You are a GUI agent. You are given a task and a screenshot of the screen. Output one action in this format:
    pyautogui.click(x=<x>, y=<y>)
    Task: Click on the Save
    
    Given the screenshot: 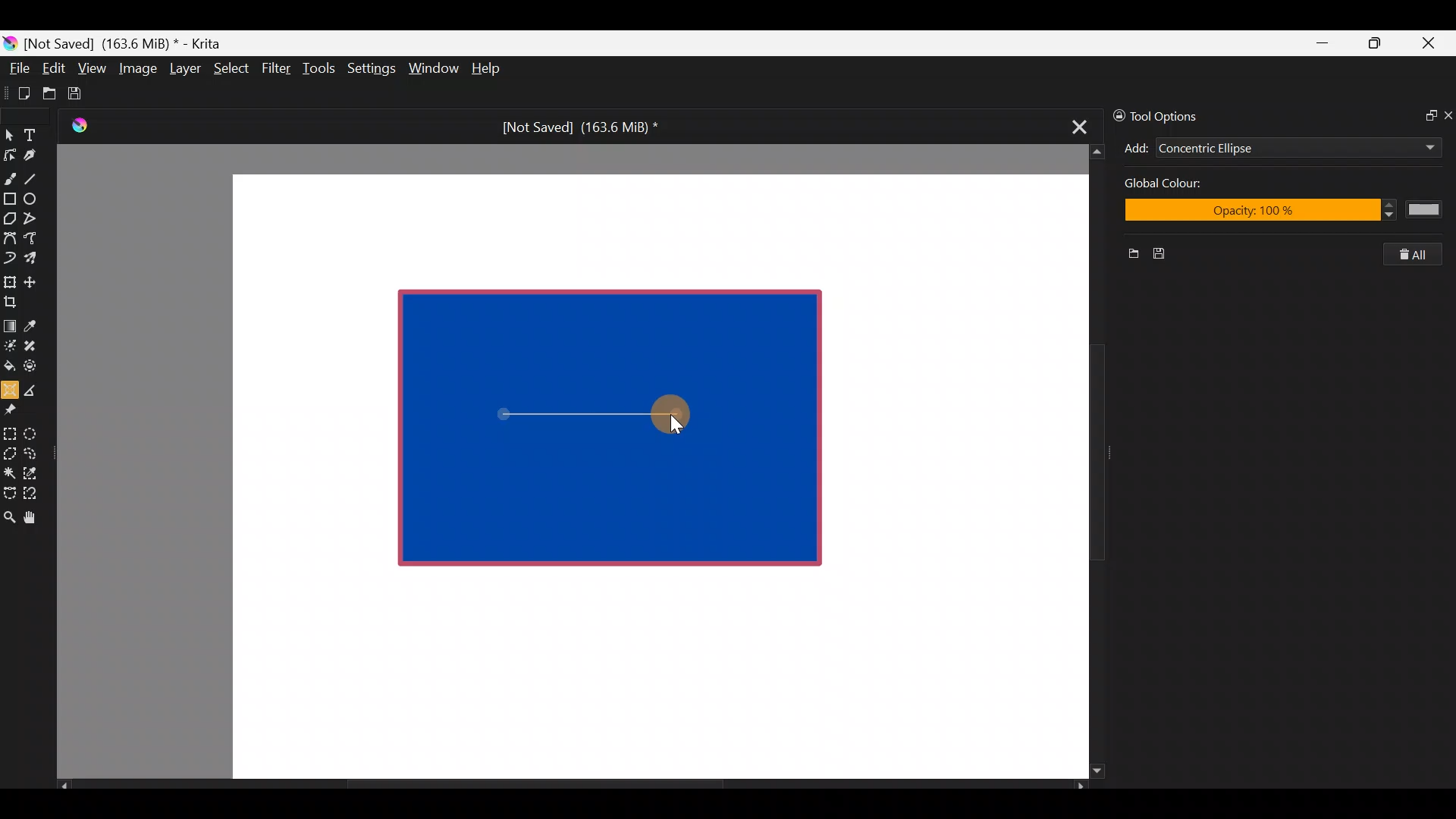 What is the action you would take?
    pyautogui.click(x=1165, y=254)
    